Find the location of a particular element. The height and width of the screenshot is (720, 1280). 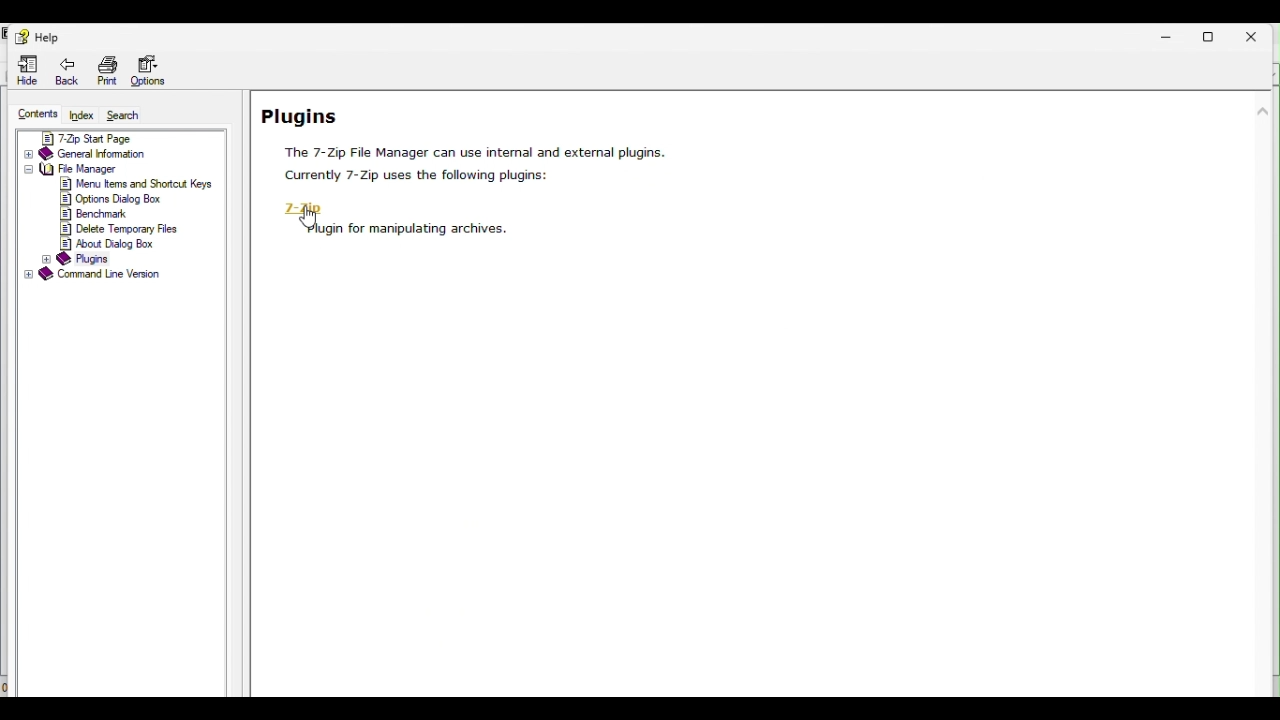

File Manager is located at coordinates (116, 170).